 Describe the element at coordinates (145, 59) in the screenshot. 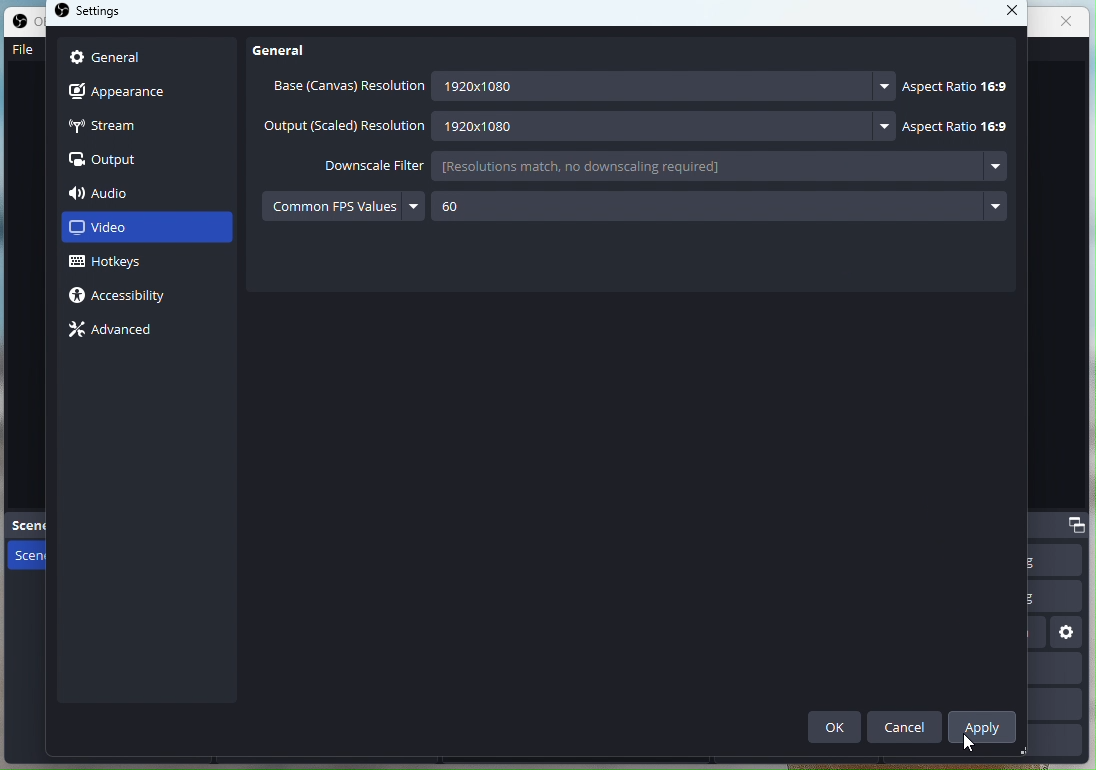

I see `General` at that location.